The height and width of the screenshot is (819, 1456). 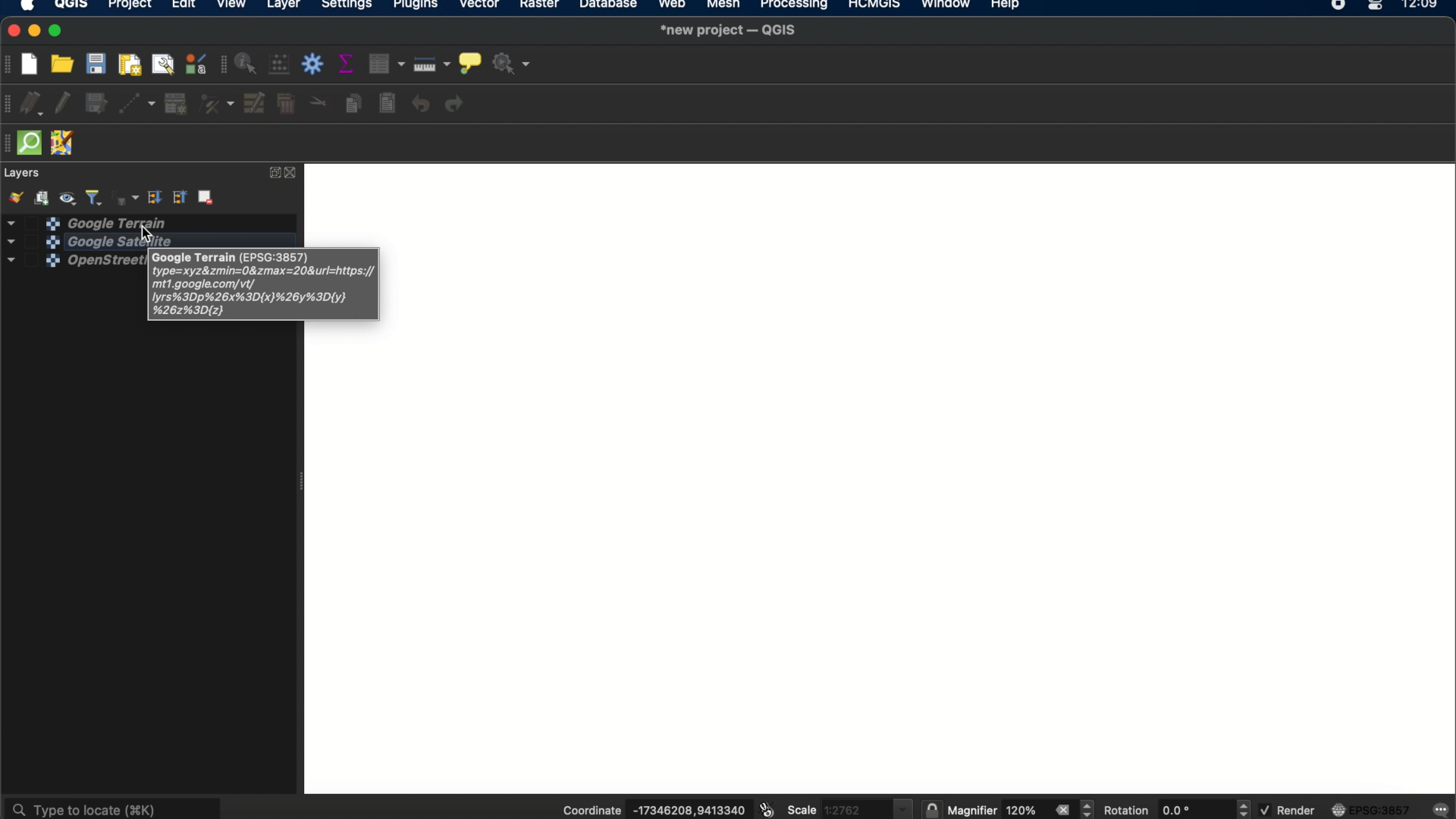 What do you see at coordinates (9, 143) in the screenshot?
I see `hidden toolbar` at bounding box center [9, 143].